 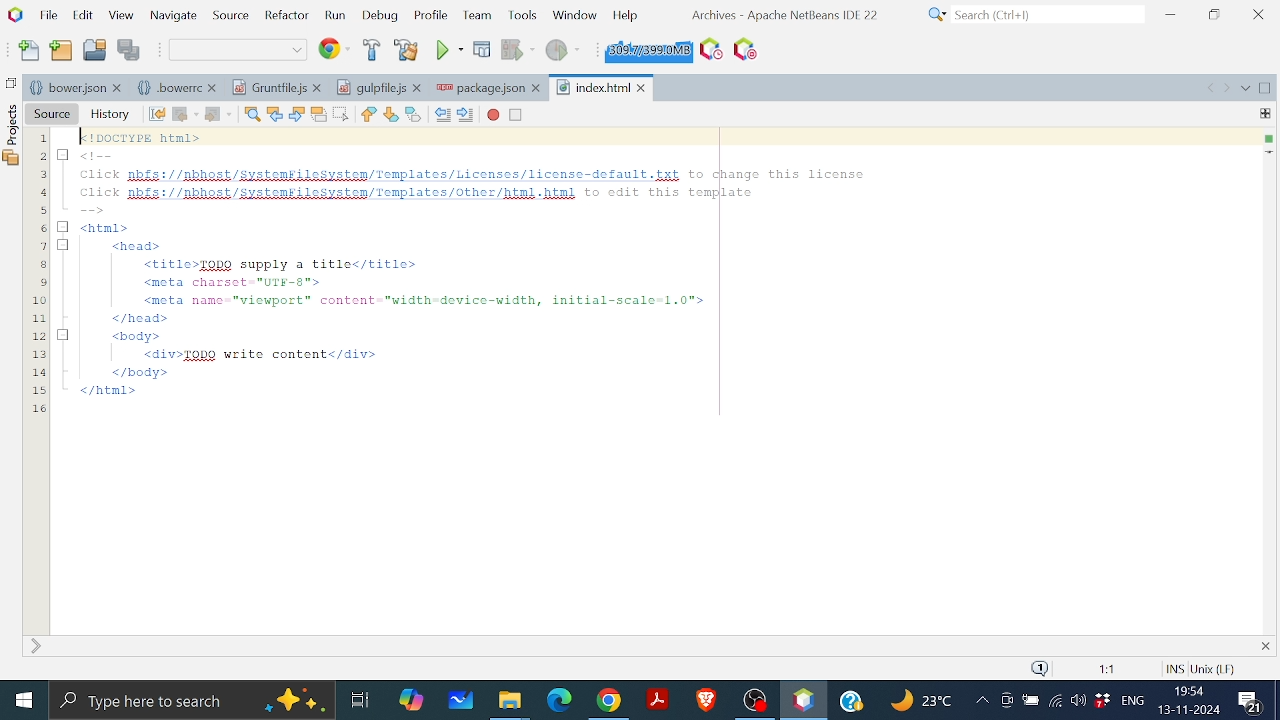 I want to click on package.json, so click(x=480, y=89).